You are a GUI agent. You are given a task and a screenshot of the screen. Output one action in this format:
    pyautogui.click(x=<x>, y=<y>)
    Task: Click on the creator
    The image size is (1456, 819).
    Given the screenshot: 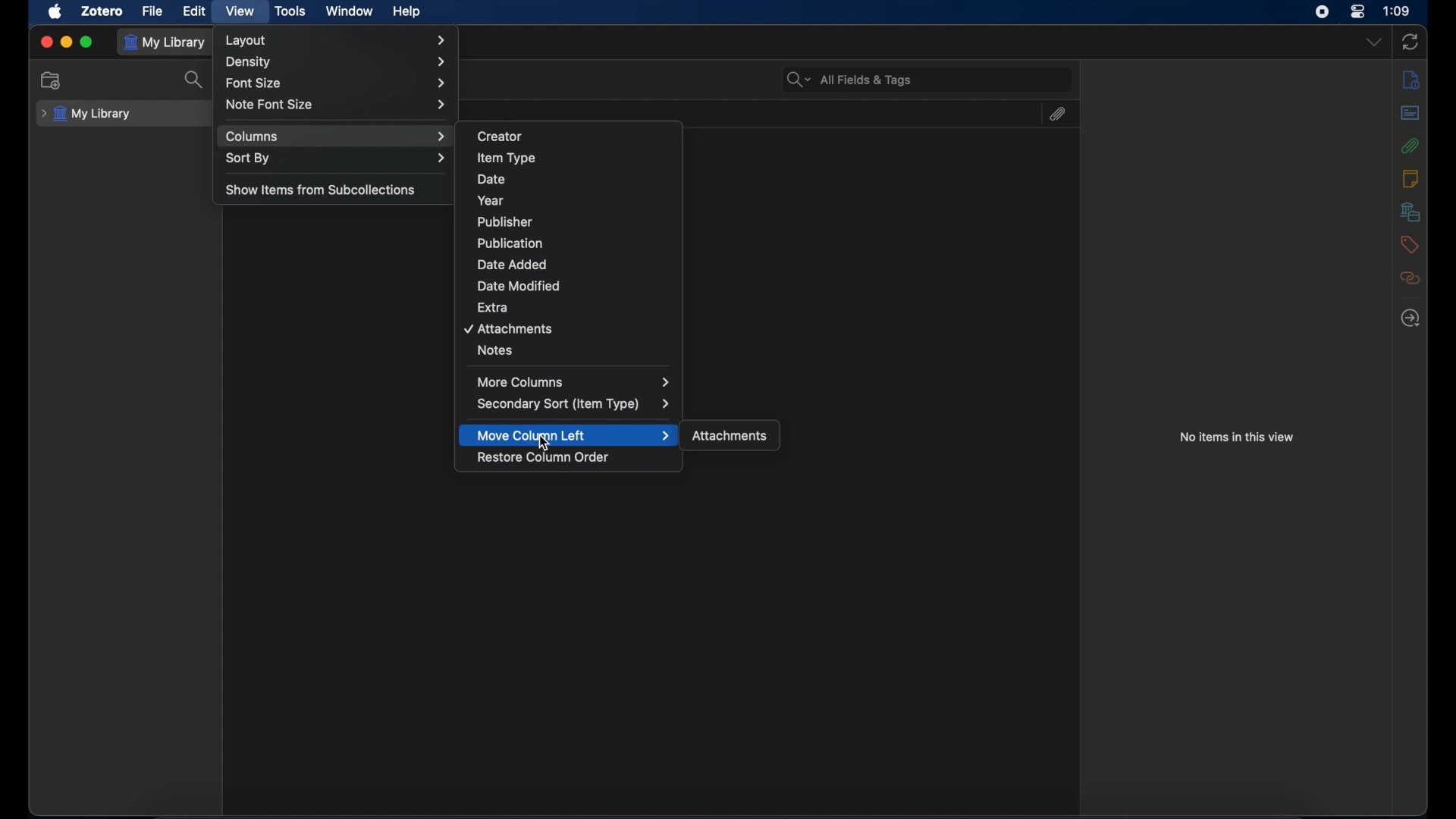 What is the action you would take?
    pyautogui.click(x=500, y=136)
    